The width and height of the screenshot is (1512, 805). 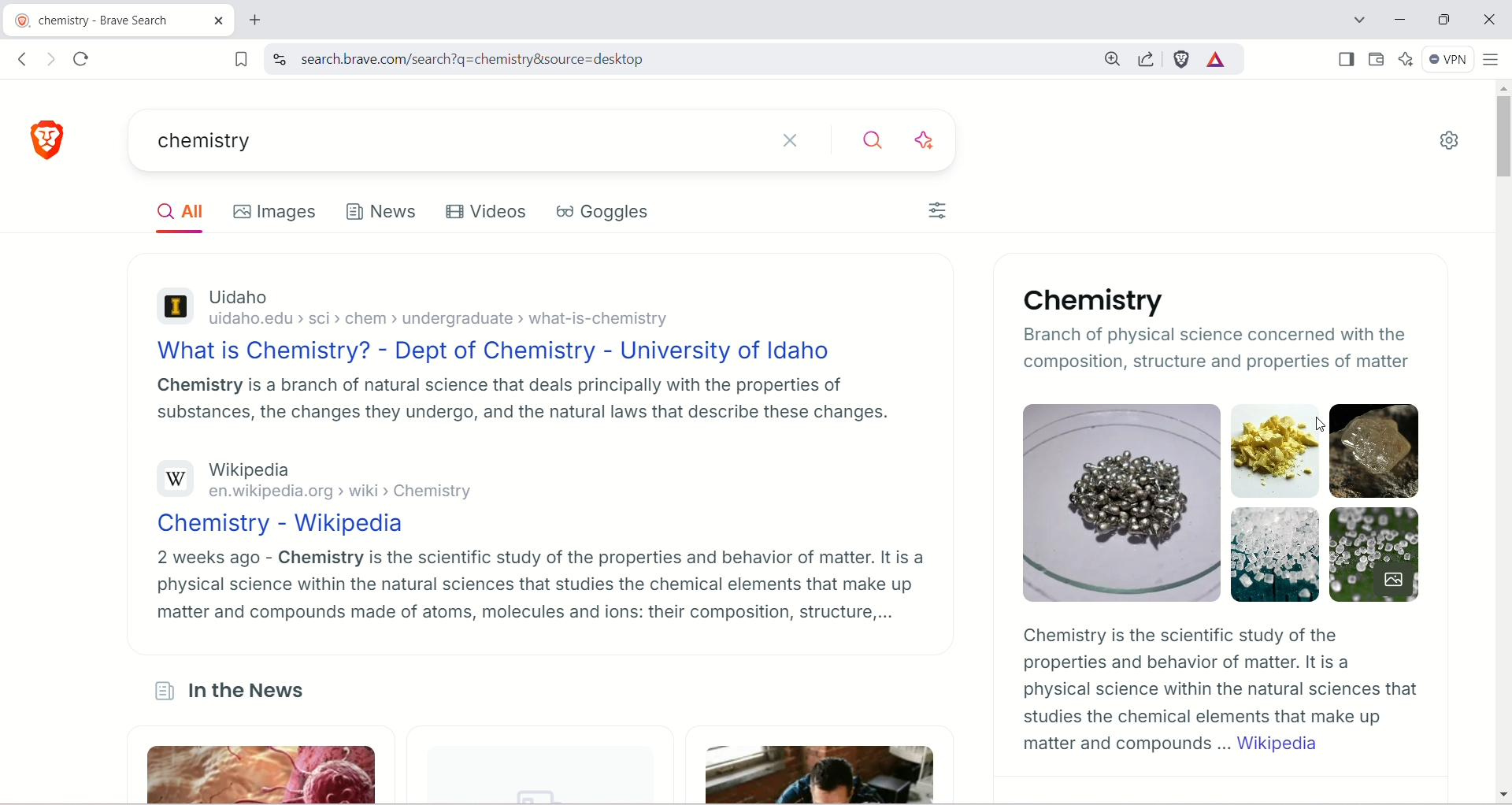 What do you see at coordinates (1223, 502) in the screenshot?
I see `Images` at bounding box center [1223, 502].